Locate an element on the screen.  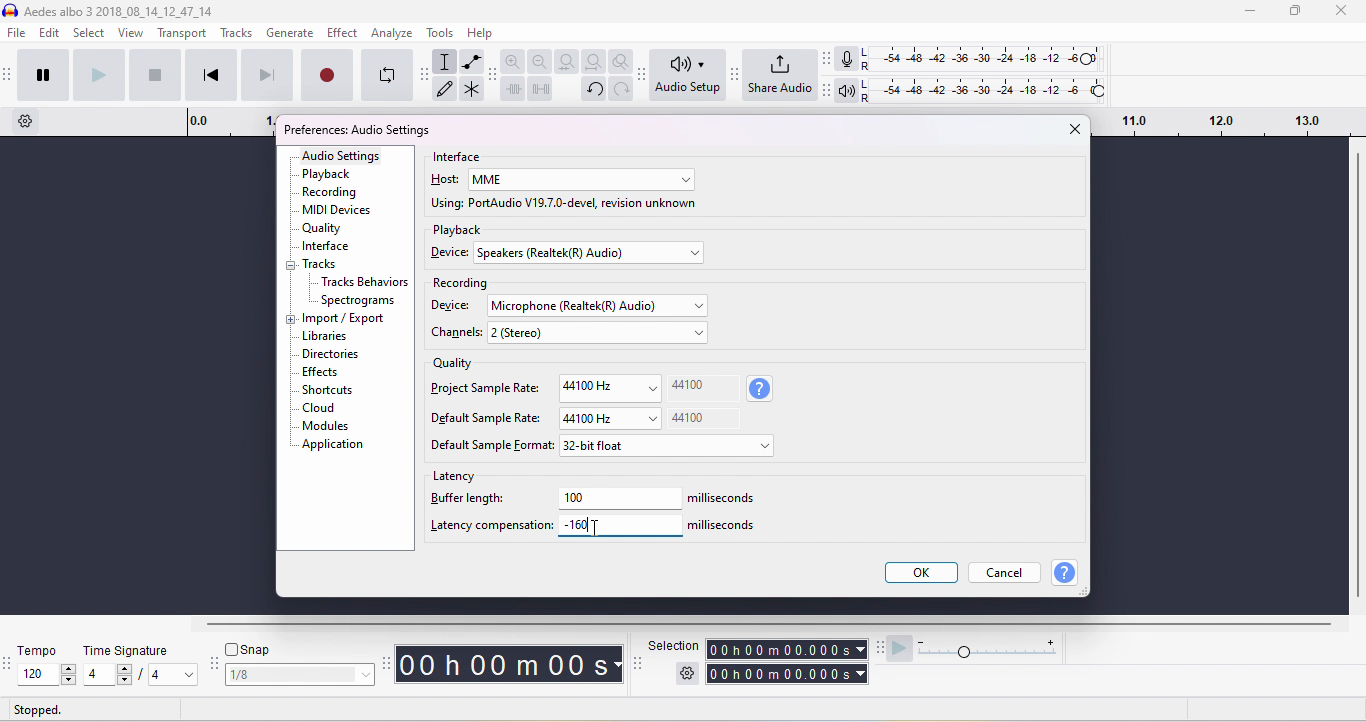
audacity audio meter toolbar is located at coordinates (827, 58).